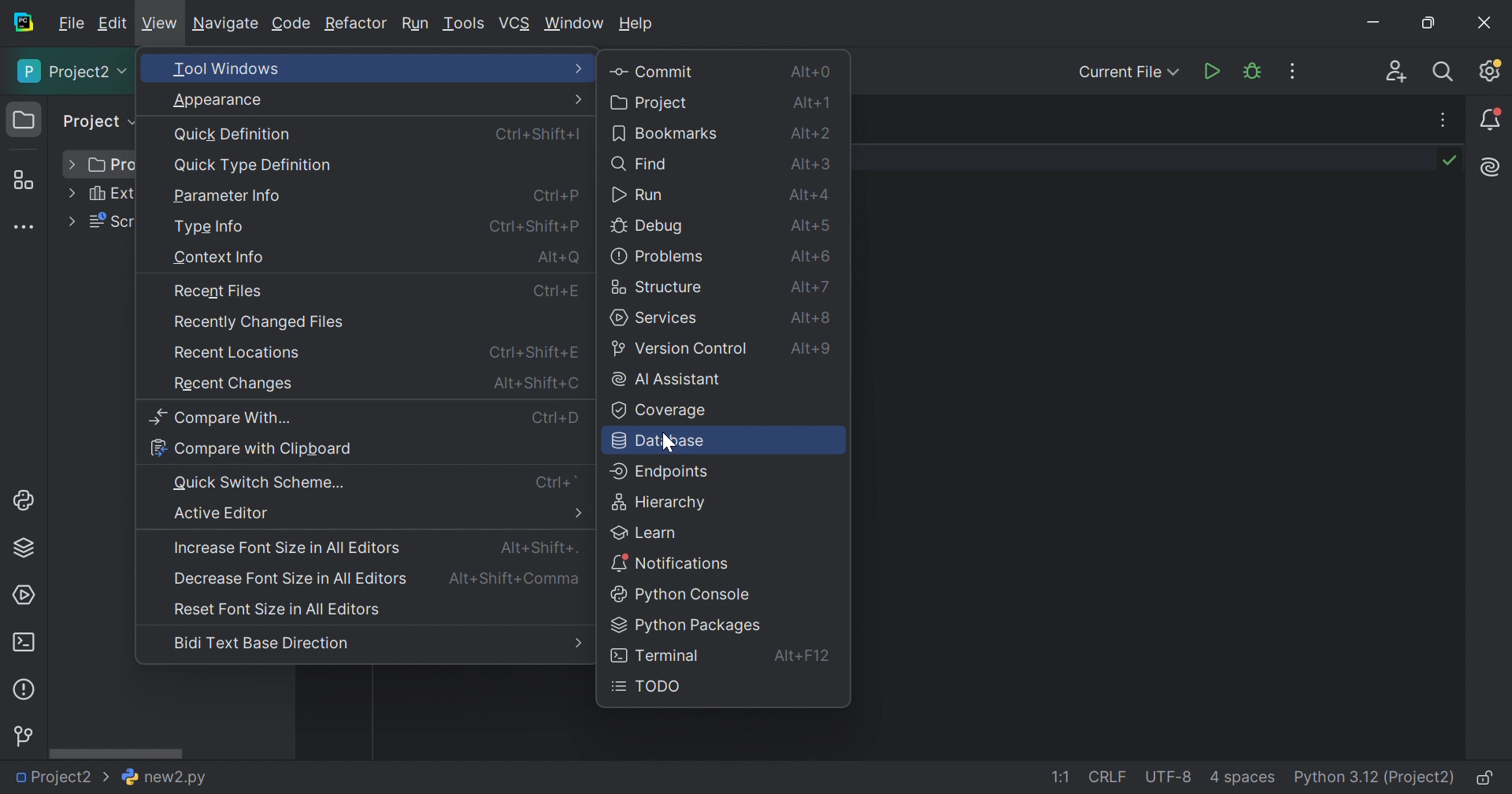  What do you see at coordinates (534, 381) in the screenshot?
I see `Alt+Shift+C` at bounding box center [534, 381].